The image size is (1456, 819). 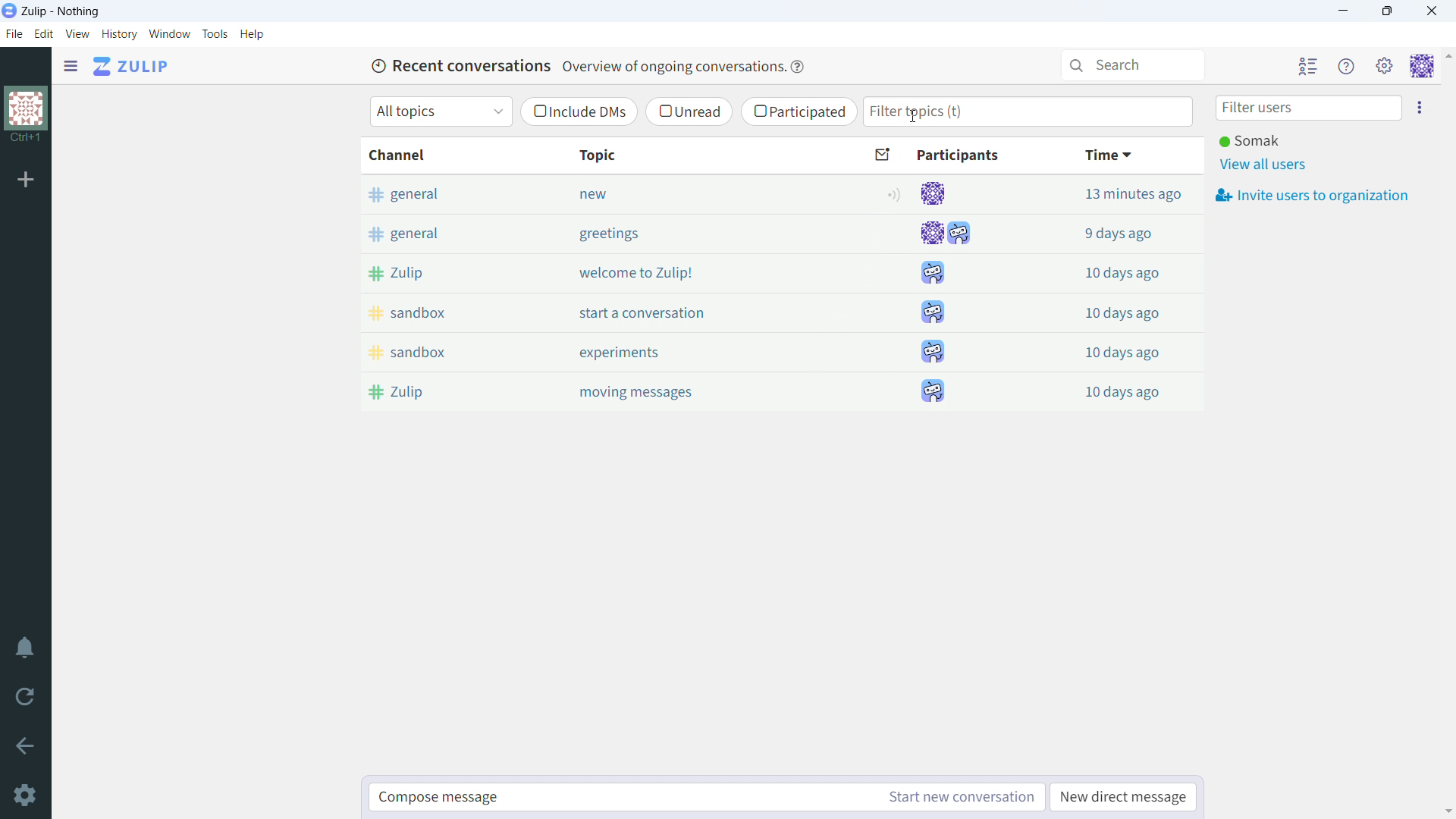 What do you see at coordinates (215, 34) in the screenshot?
I see `tools` at bounding box center [215, 34].